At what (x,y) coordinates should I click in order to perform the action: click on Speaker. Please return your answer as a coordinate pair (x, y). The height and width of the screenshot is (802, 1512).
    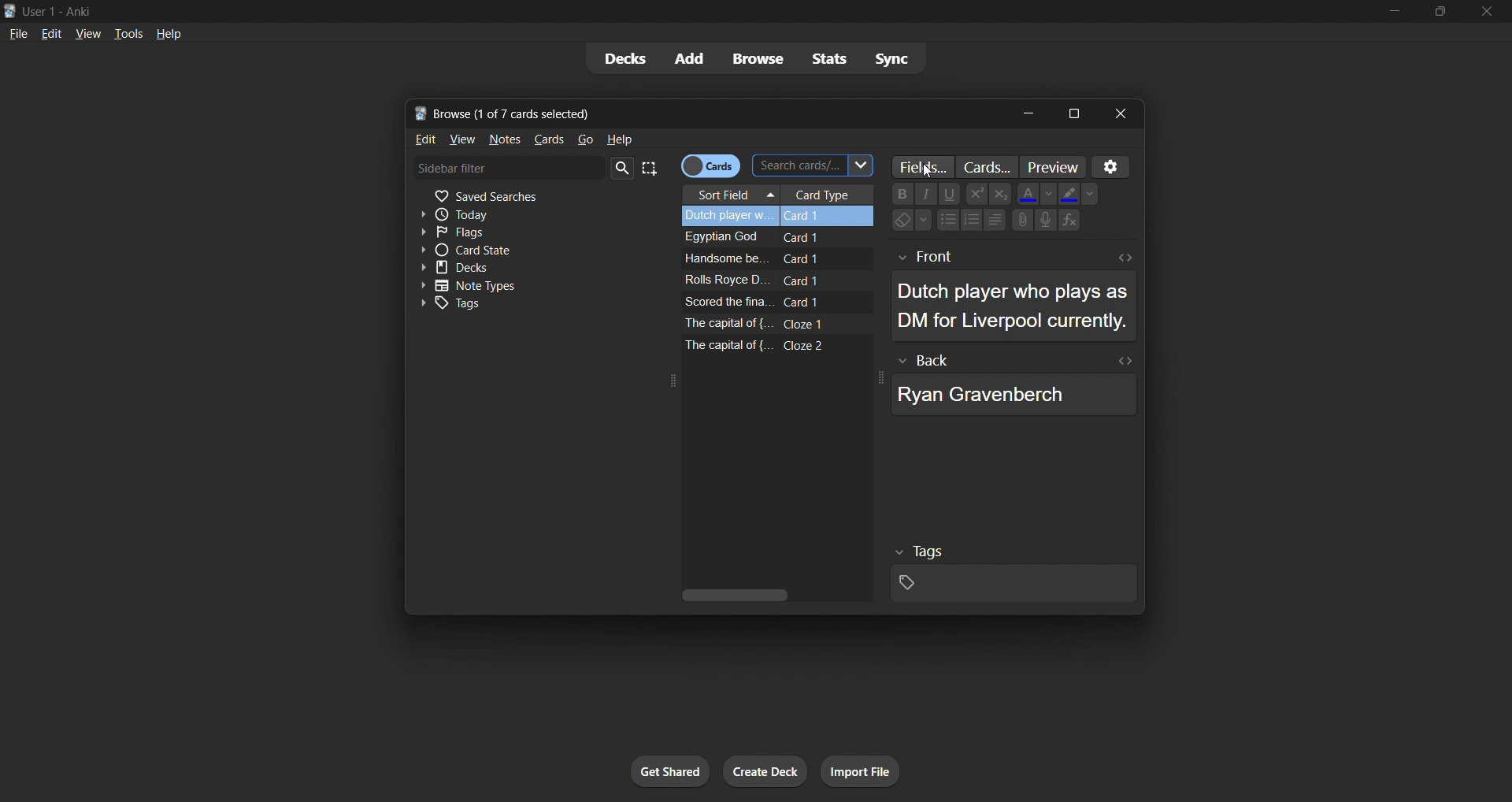
    Looking at the image, I should click on (1046, 220).